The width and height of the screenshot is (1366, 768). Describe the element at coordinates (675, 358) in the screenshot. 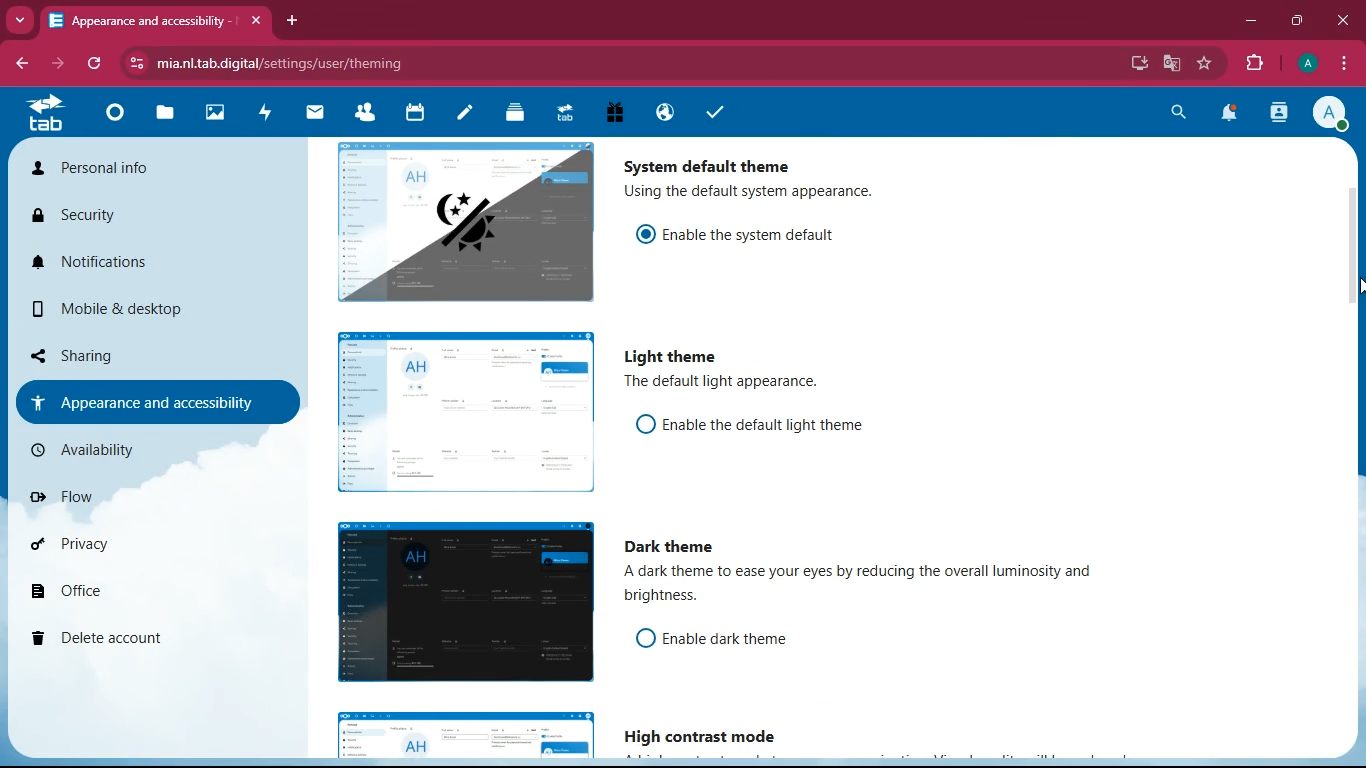

I see `light theme` at that location.